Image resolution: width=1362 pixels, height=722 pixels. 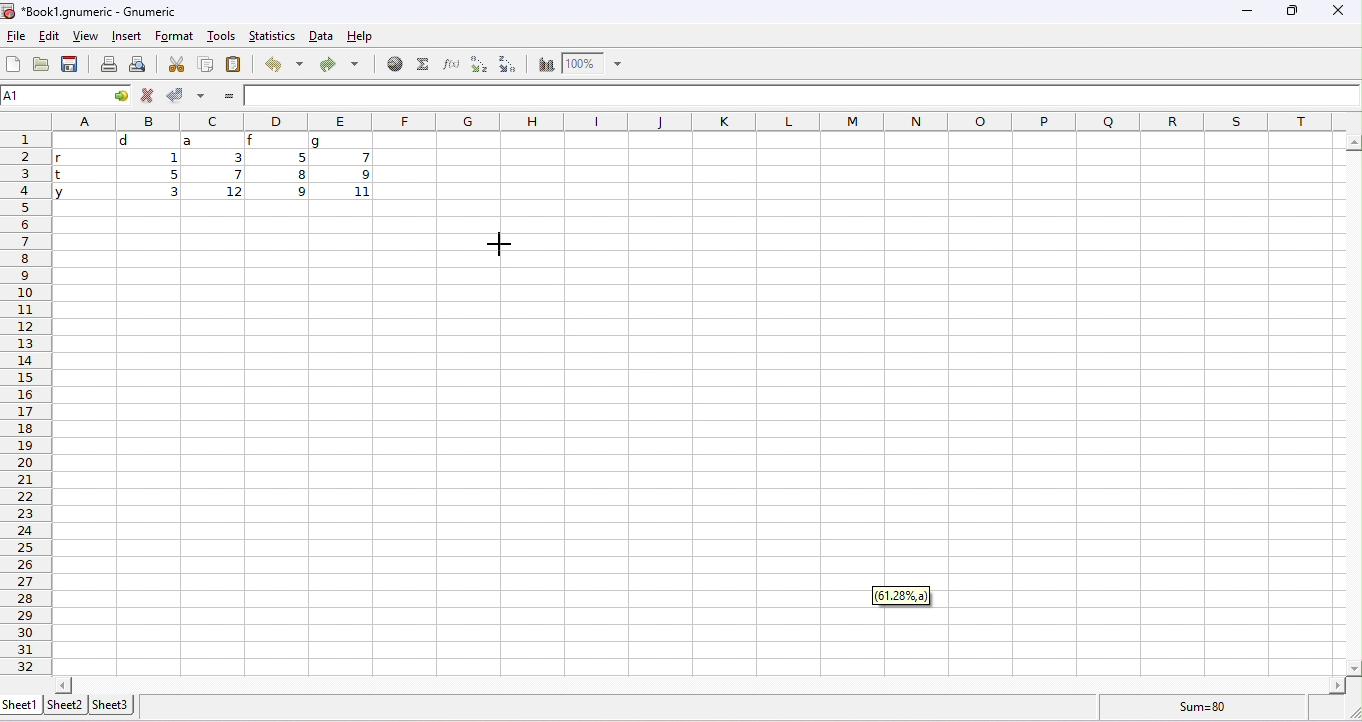 I want to click on sheet3, so click(x=113, y=704).